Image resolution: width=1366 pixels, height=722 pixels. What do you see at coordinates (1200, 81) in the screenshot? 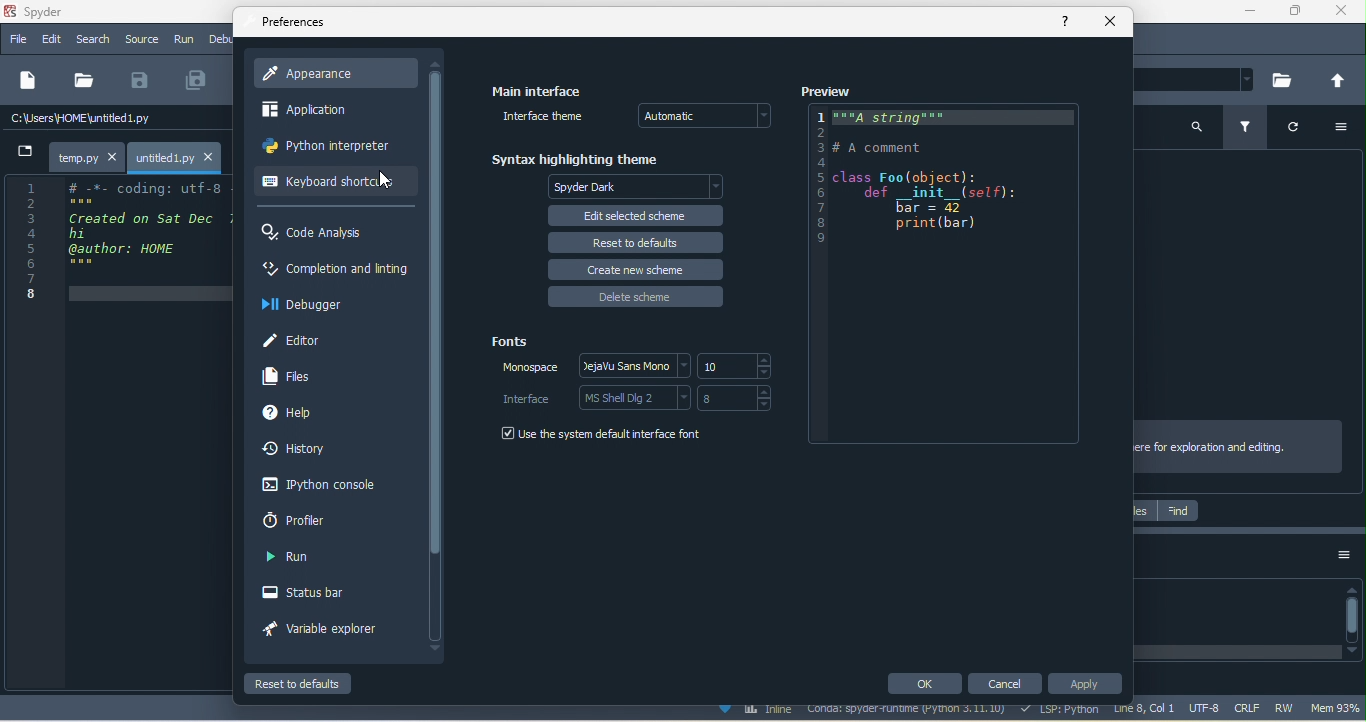
I see `c\users\home` at bounding box center [1200, 81].